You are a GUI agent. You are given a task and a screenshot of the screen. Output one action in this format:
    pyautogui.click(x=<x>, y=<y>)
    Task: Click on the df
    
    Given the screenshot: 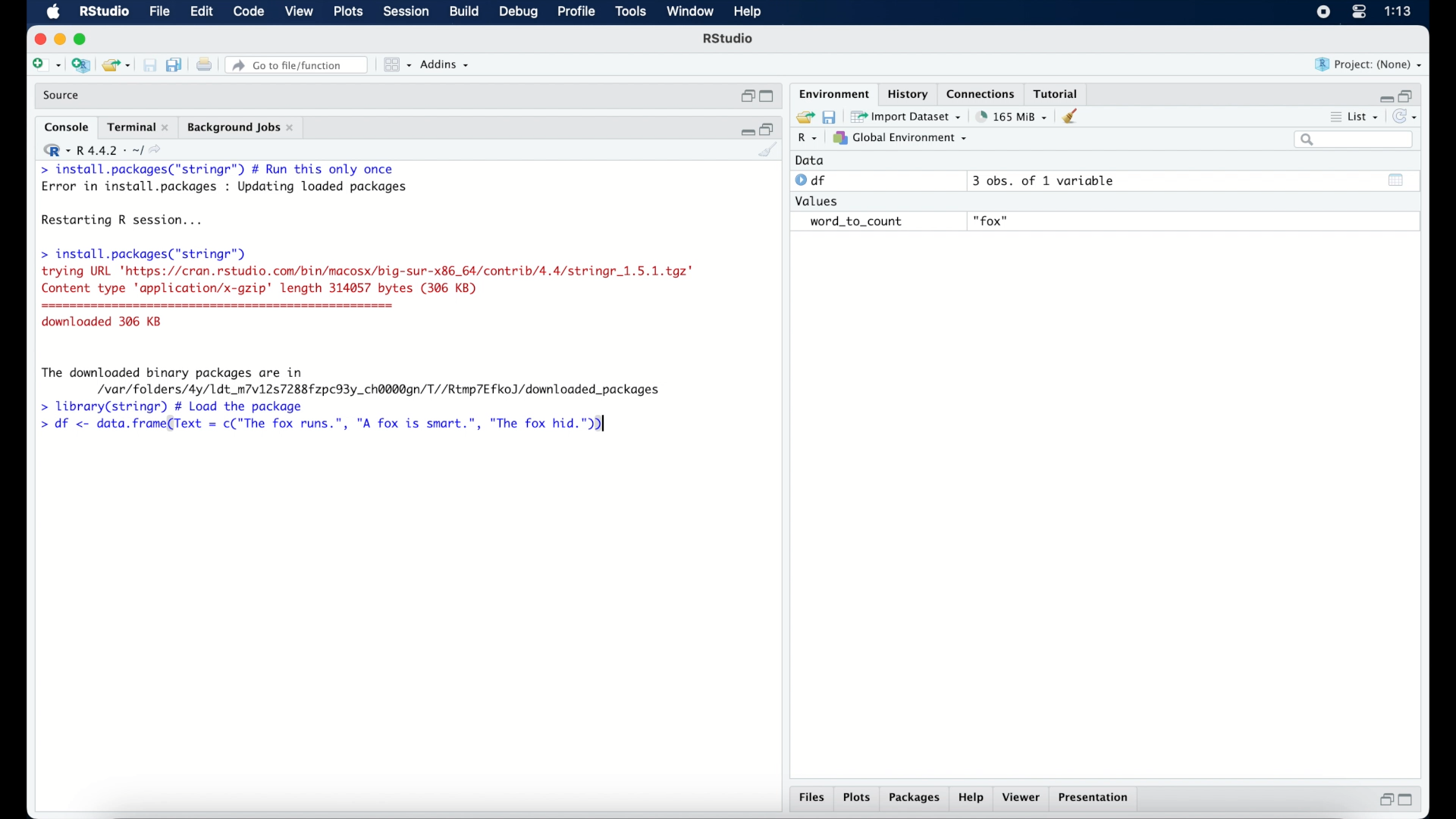 What is the action you would take?
    pyautogui.click(x=813, y=180)
    